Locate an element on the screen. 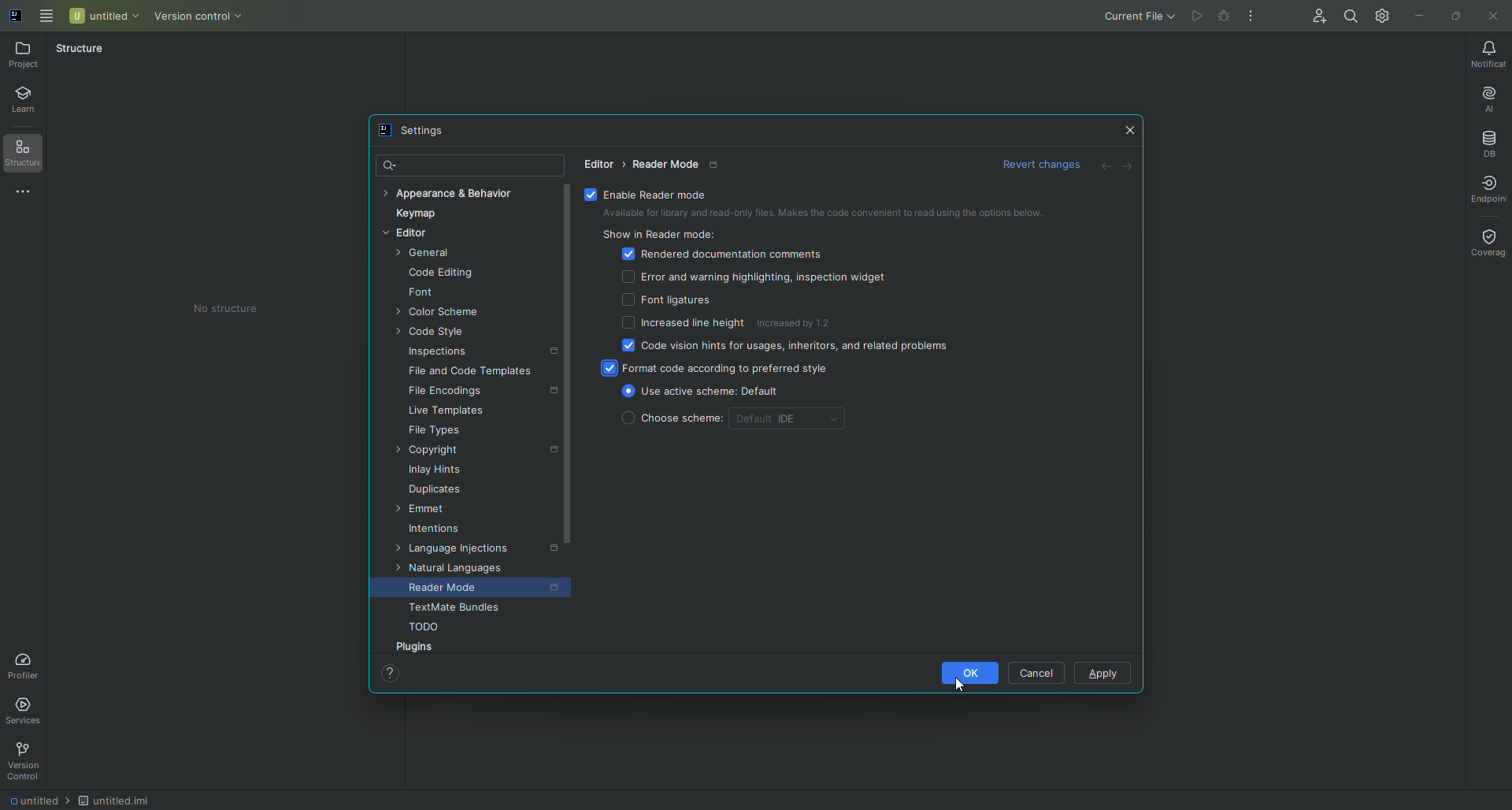 The width and height of the screenshot is (1512, 810). Search is located at coordinates (1349, 15).